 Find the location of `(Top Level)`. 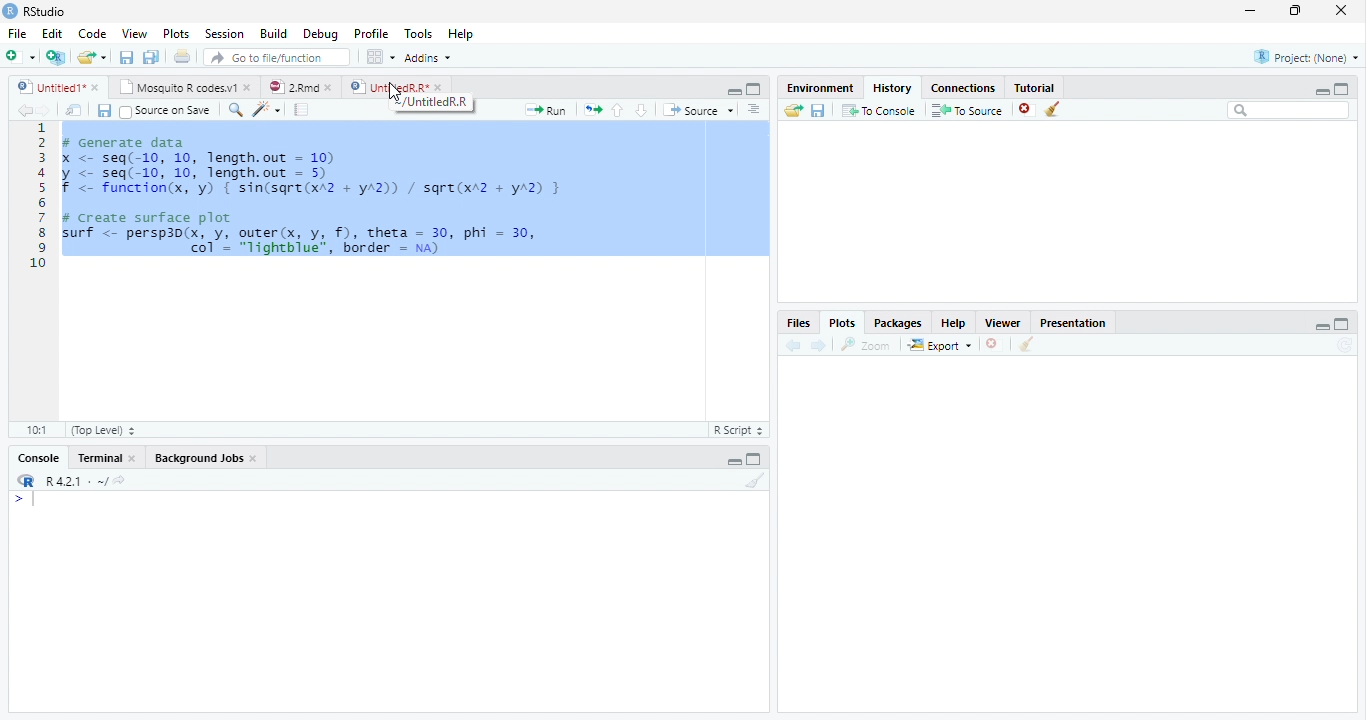

(Top Level) is located at coordinates (105, 430).